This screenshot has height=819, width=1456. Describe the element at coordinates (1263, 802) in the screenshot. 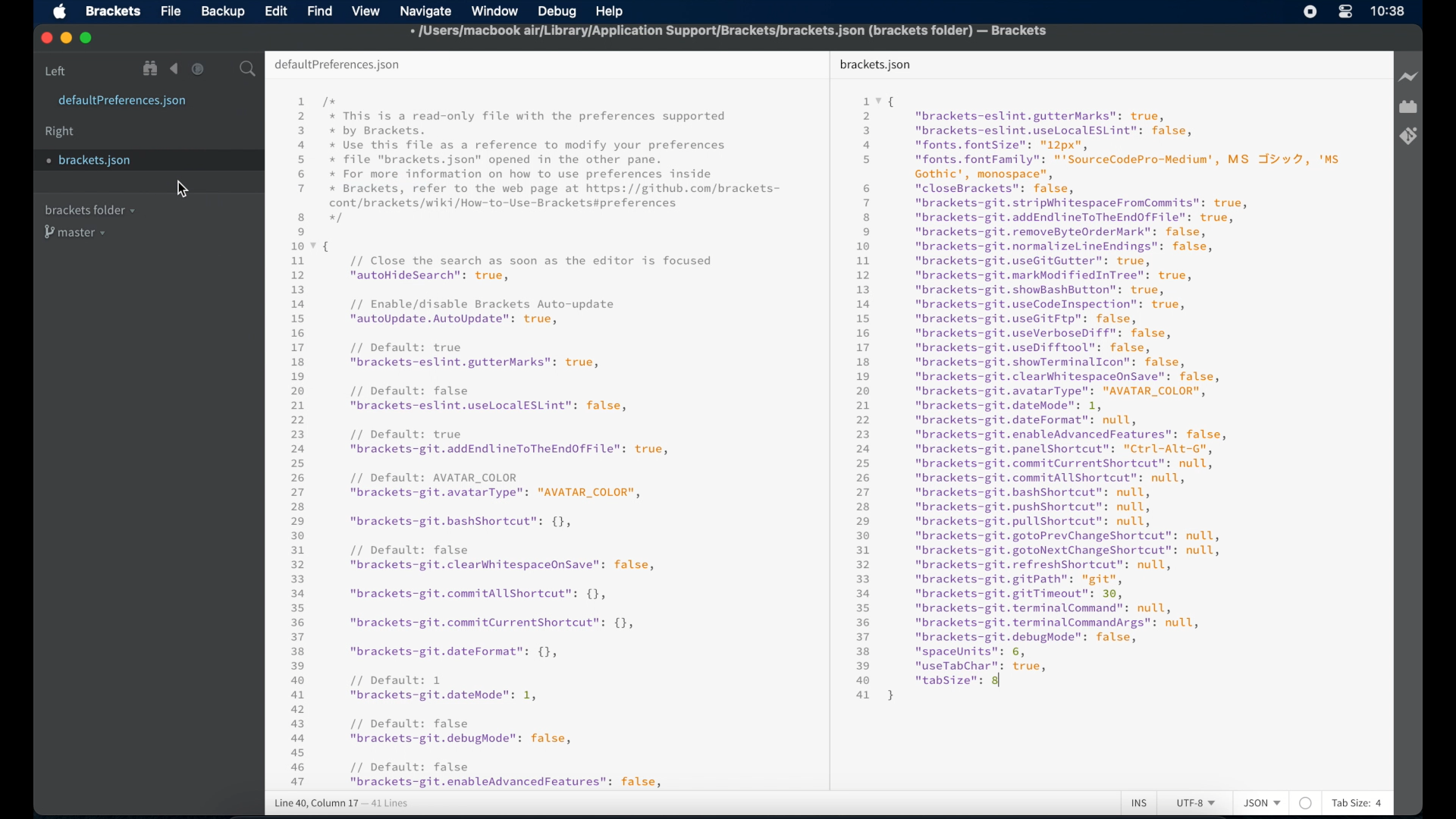

I see `json` at that location.